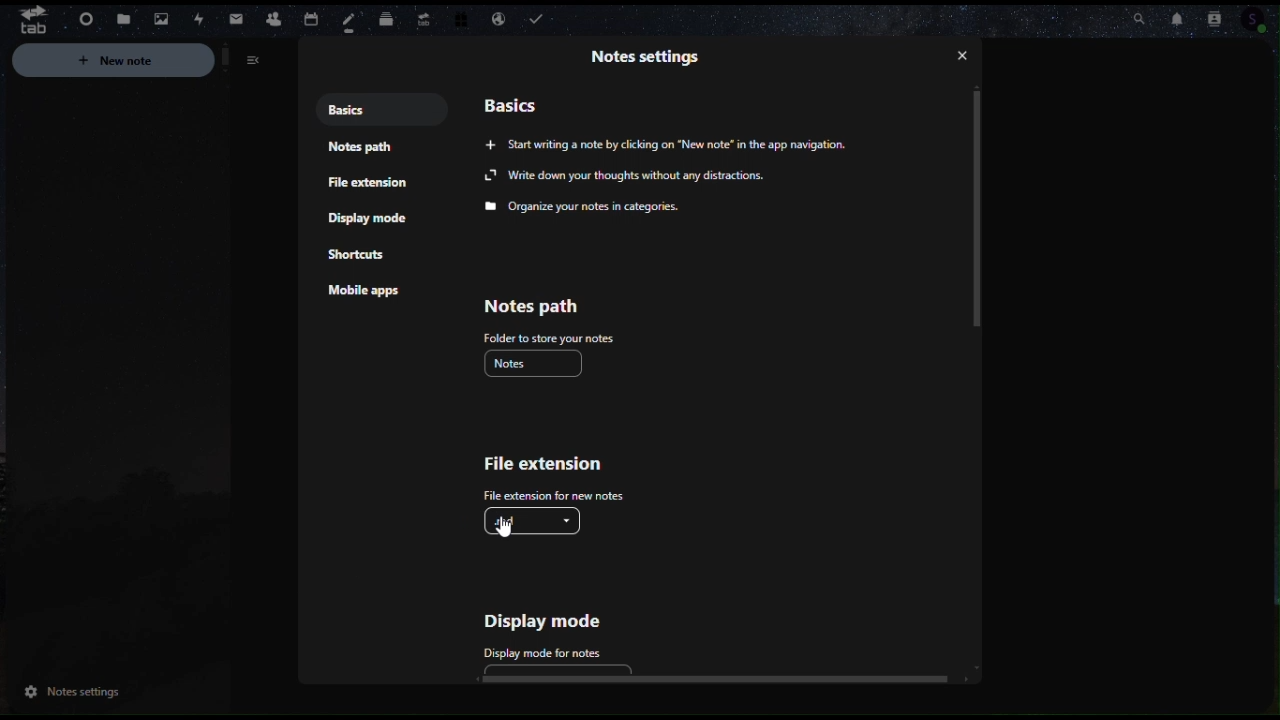 The height and width of the screenshot is (720, 1280). What do you see at coordinates (351, 22) in the screenshot?
I see `notes` at bounding box center [351, 22].